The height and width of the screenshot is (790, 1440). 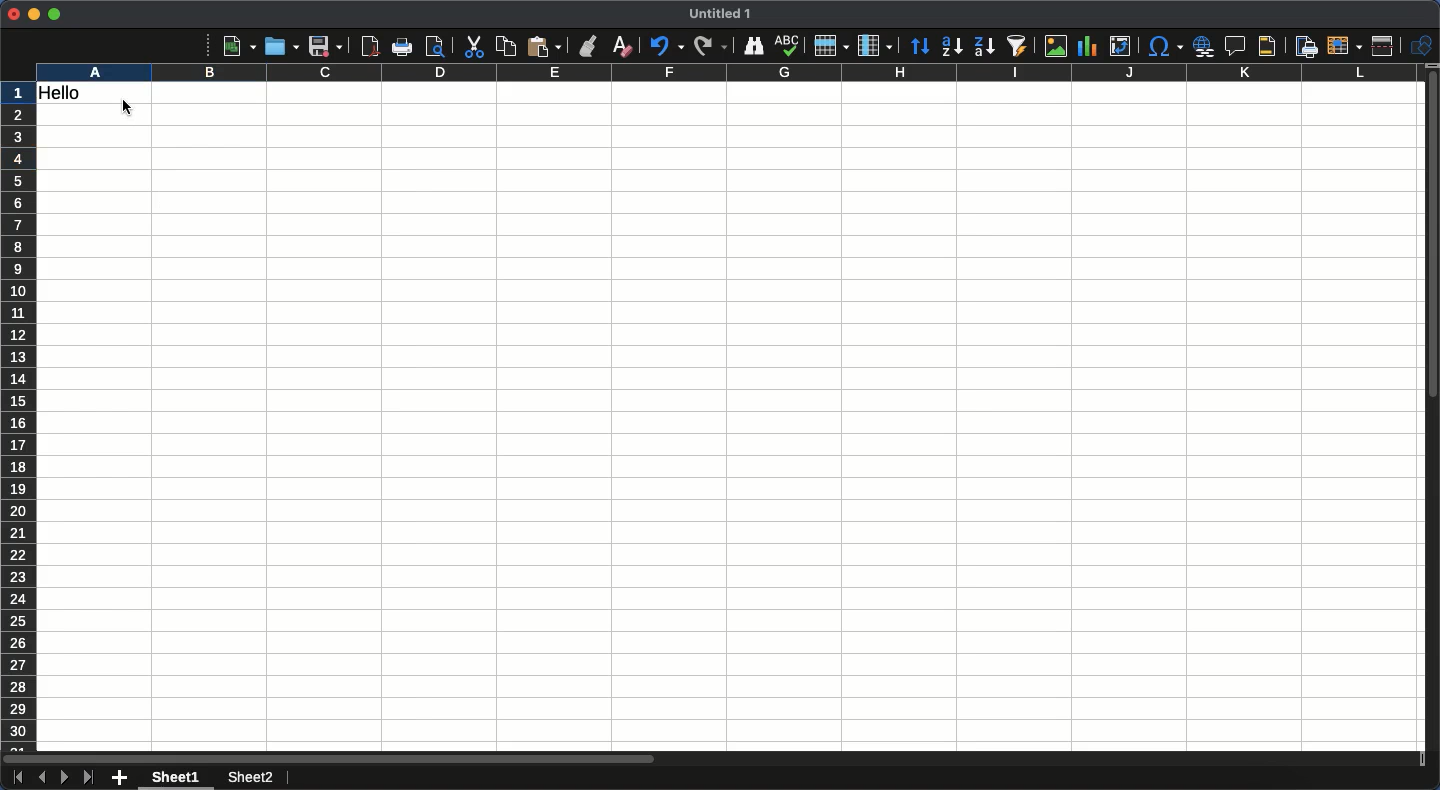 What do you see at coordinates (787, 46) in the screenshot?
I see `Spelling` at bounding box center [787, 46].